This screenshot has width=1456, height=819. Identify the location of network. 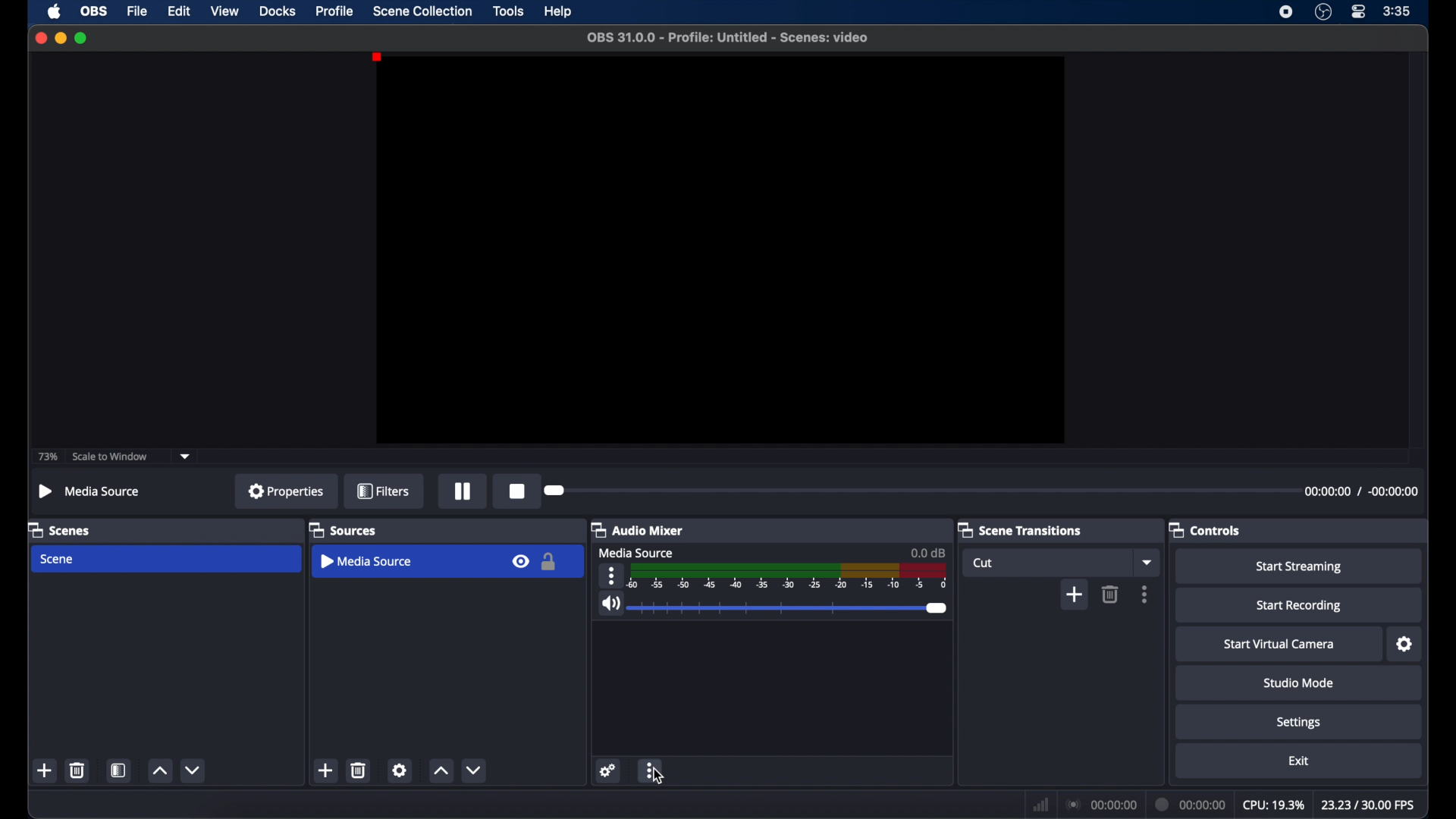
(1039, 803).